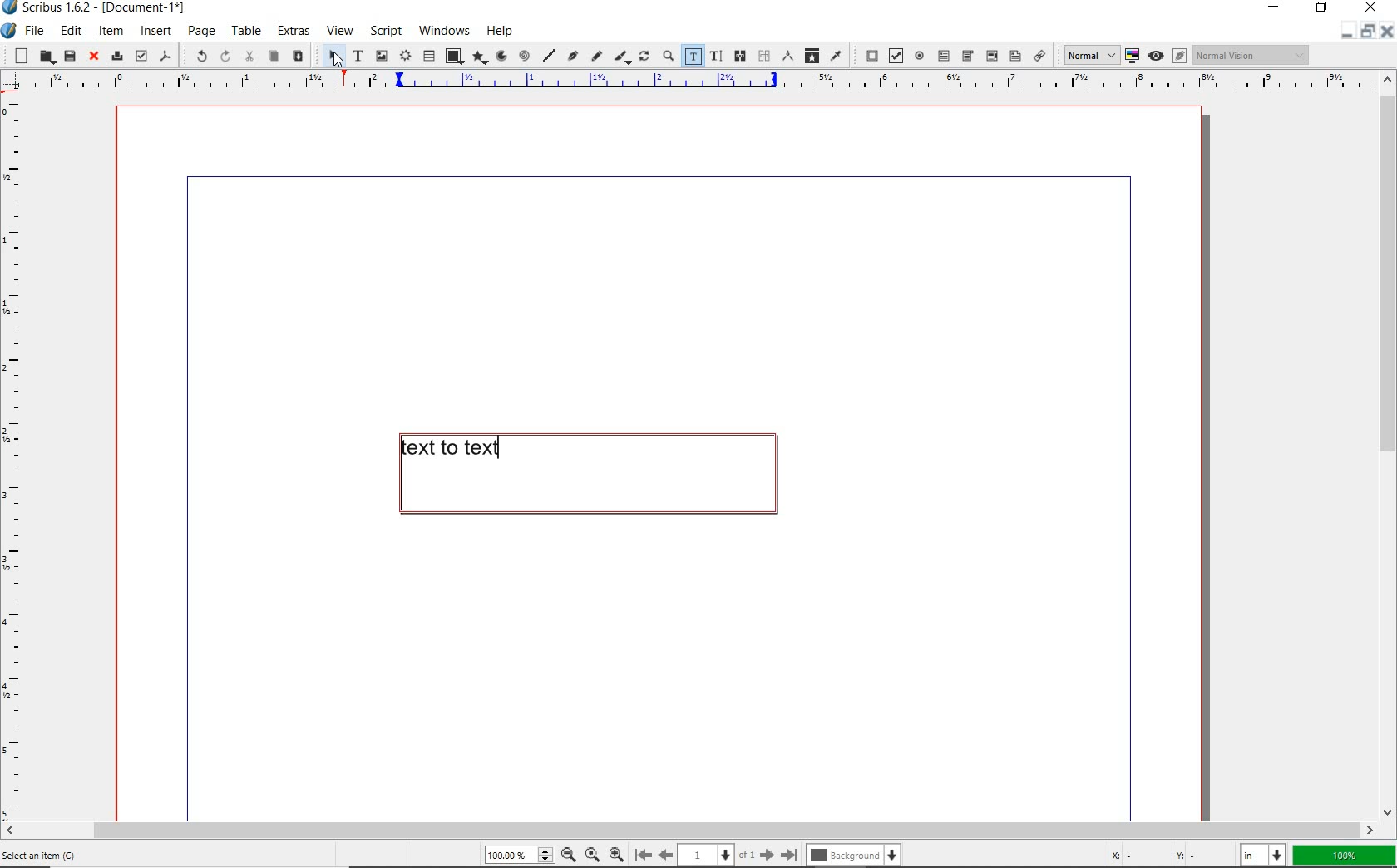  Describe the element at coordinates (500, 57) in the screenshot. I see `arc` at that location.